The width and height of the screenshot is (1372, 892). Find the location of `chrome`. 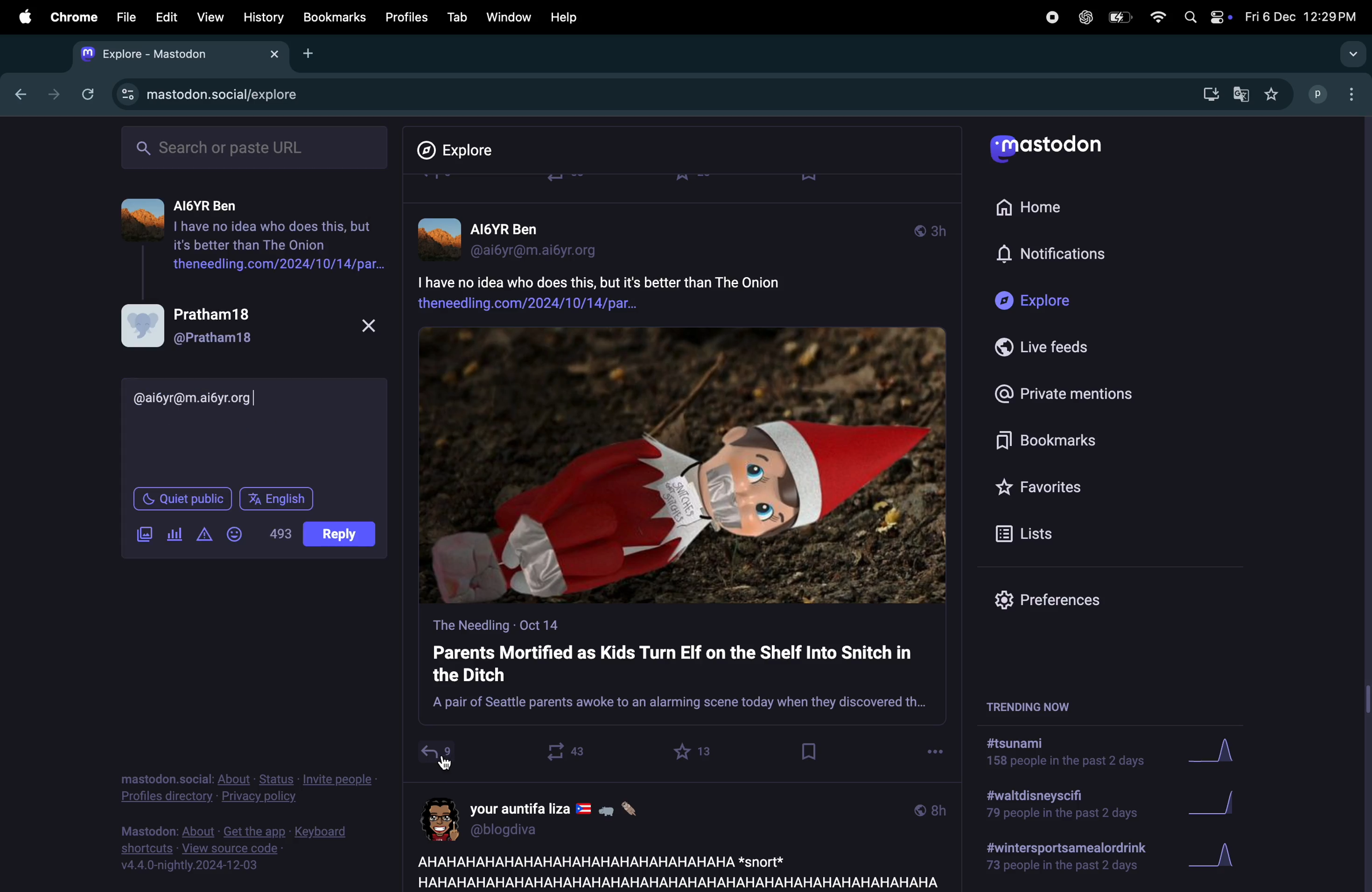

chrome is located at coordinates (71, 17).